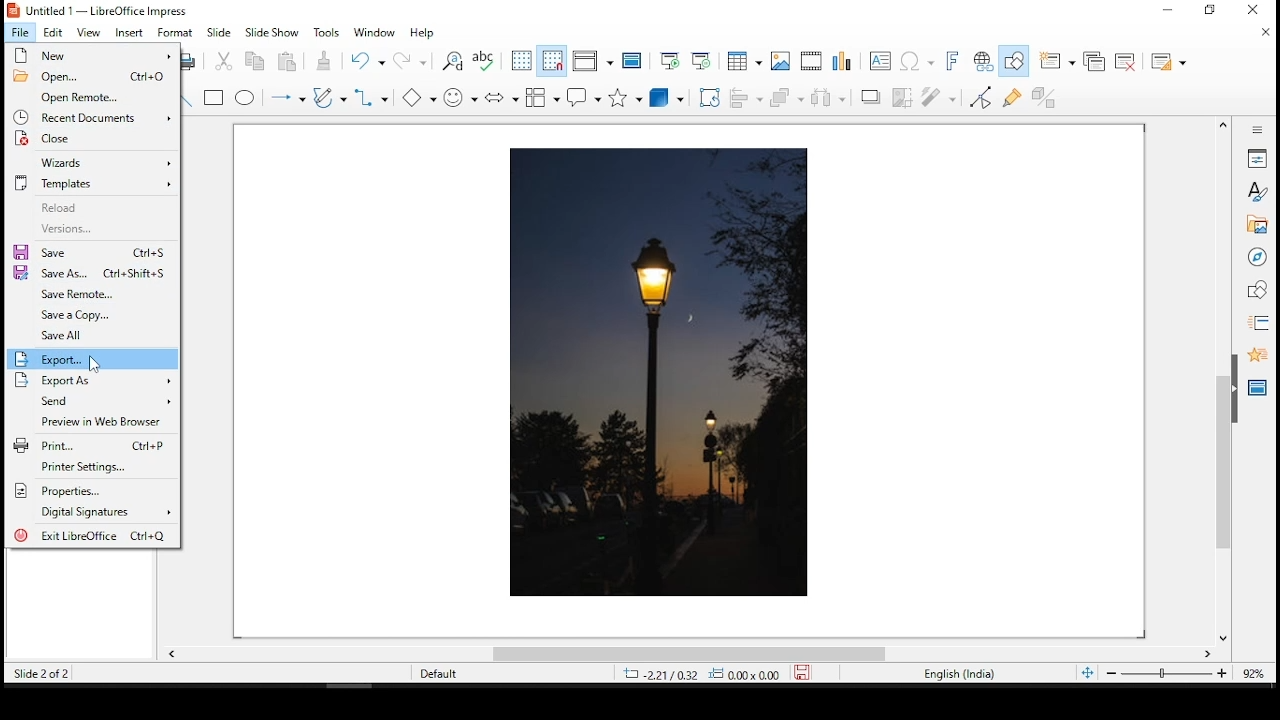 The width and height of the screenshot is (1280, 720). I want to click on basic shapes, so click(417, 97).